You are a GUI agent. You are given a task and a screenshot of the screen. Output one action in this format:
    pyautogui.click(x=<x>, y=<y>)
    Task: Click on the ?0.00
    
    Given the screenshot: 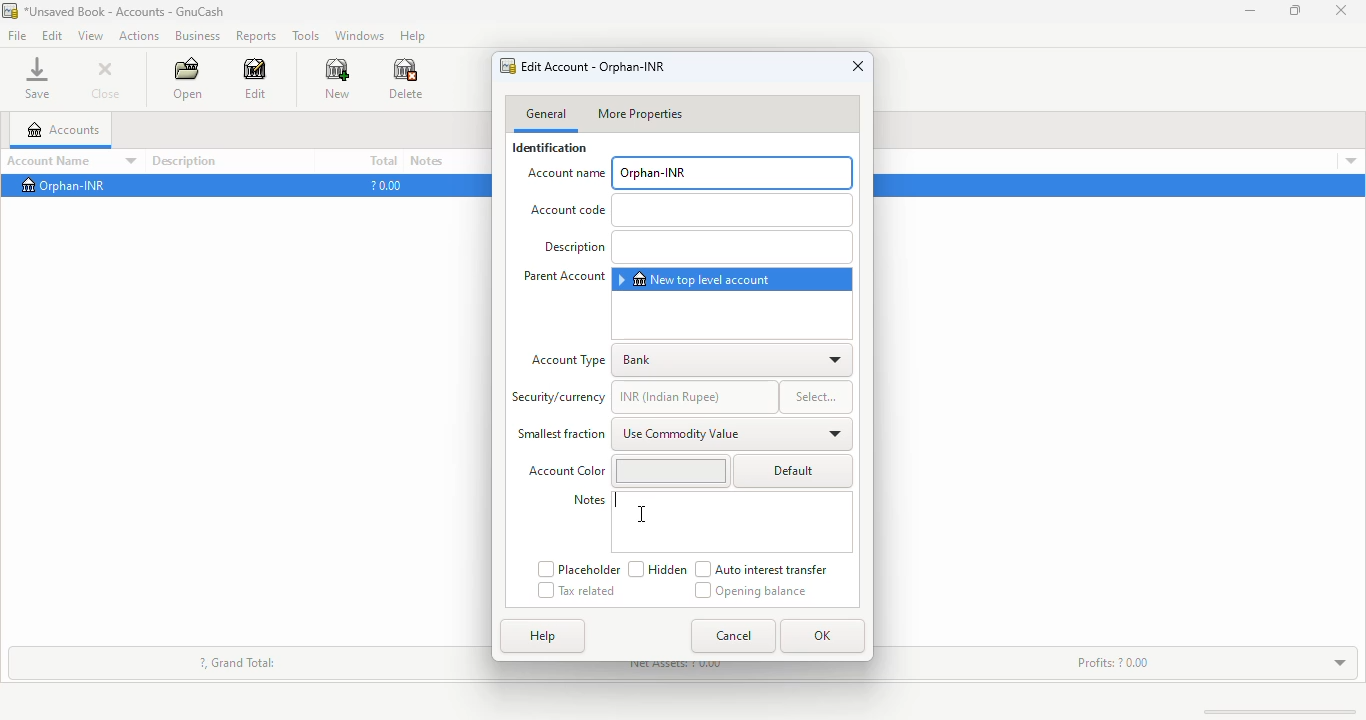 What is the action you would take?
    pyautogui.click(x=386, y=184)
    